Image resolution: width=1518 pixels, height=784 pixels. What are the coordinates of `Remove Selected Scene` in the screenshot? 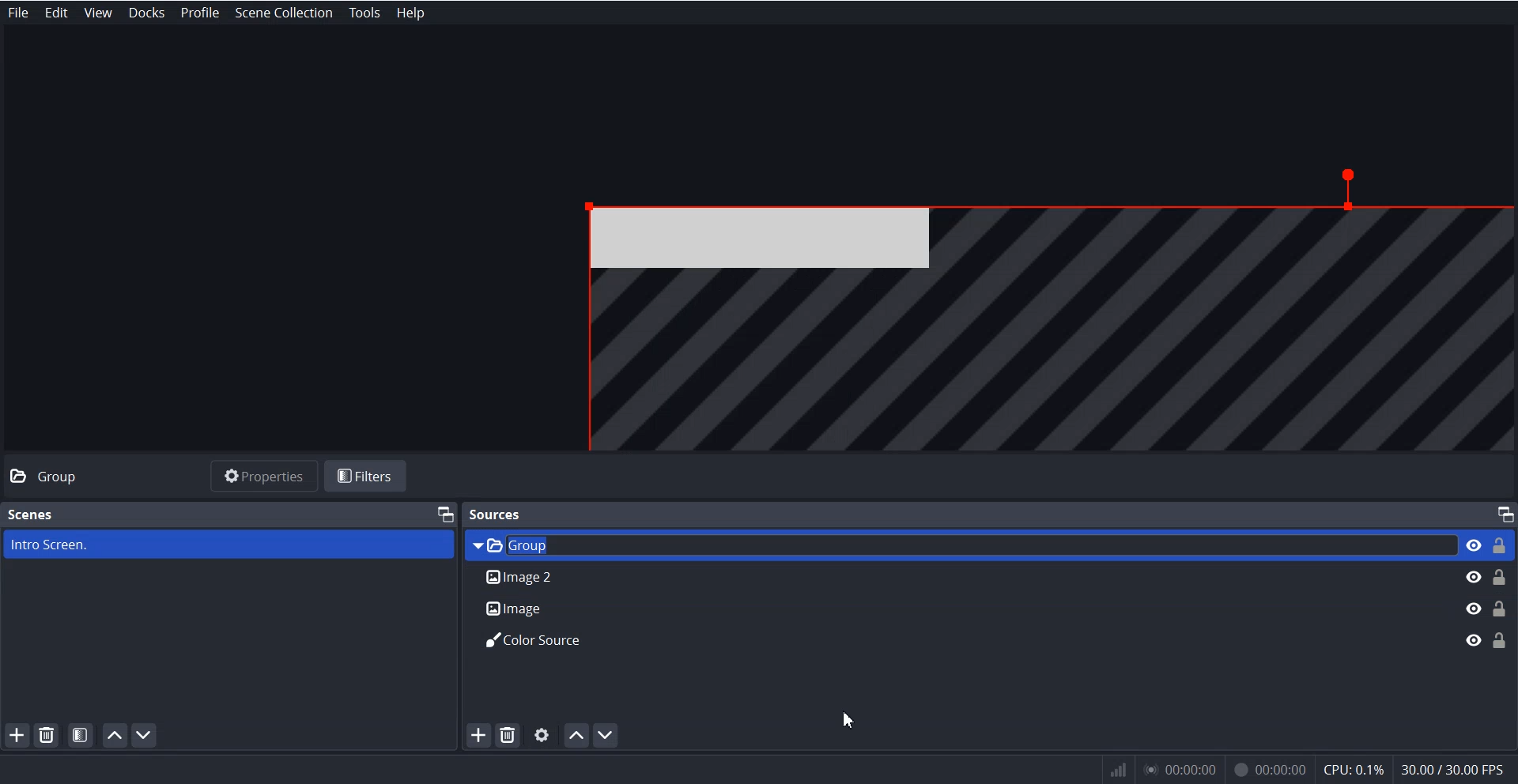 It's located at (48, 735).